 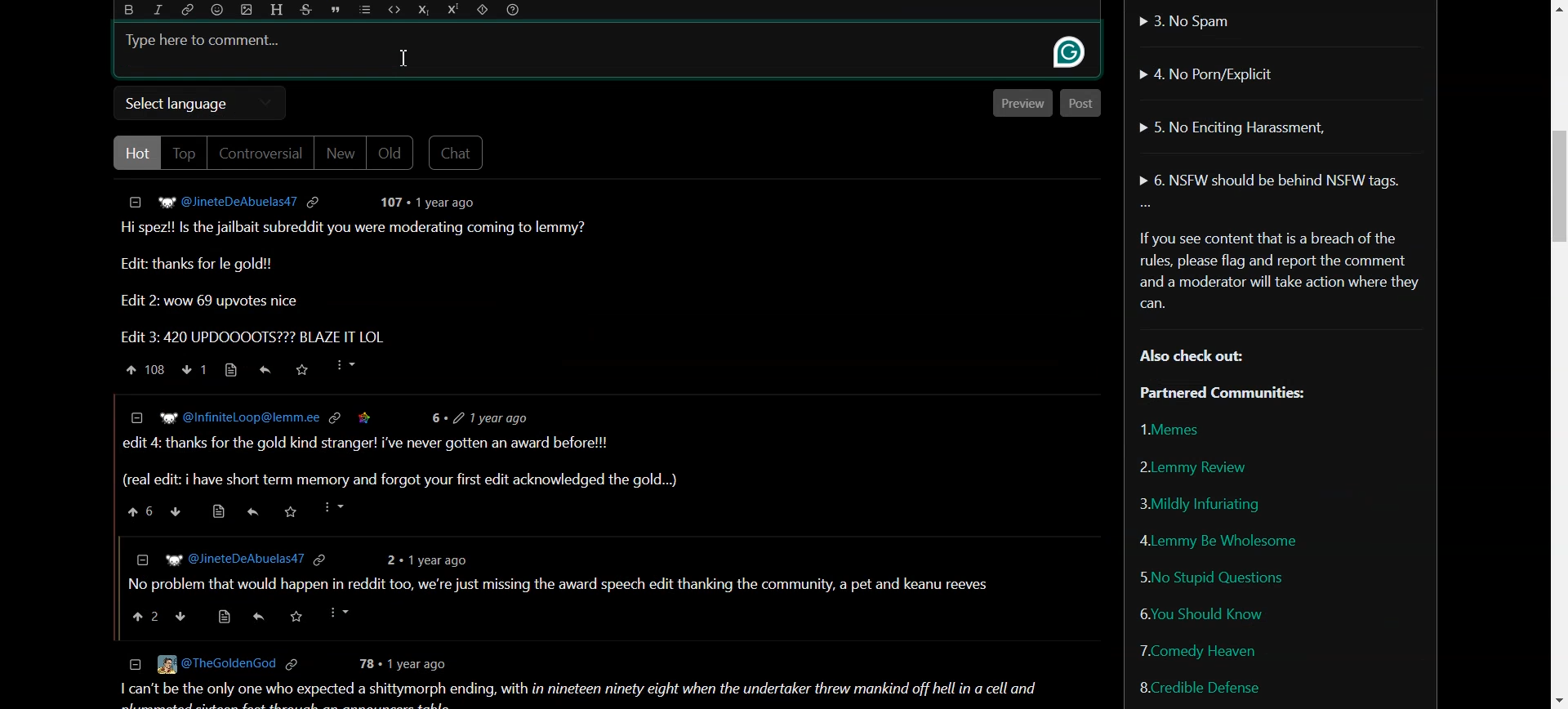 What do you see at coordinates (559, 51) in the screenshot?
I see `Typing Window` at bounding box center [559, 51].